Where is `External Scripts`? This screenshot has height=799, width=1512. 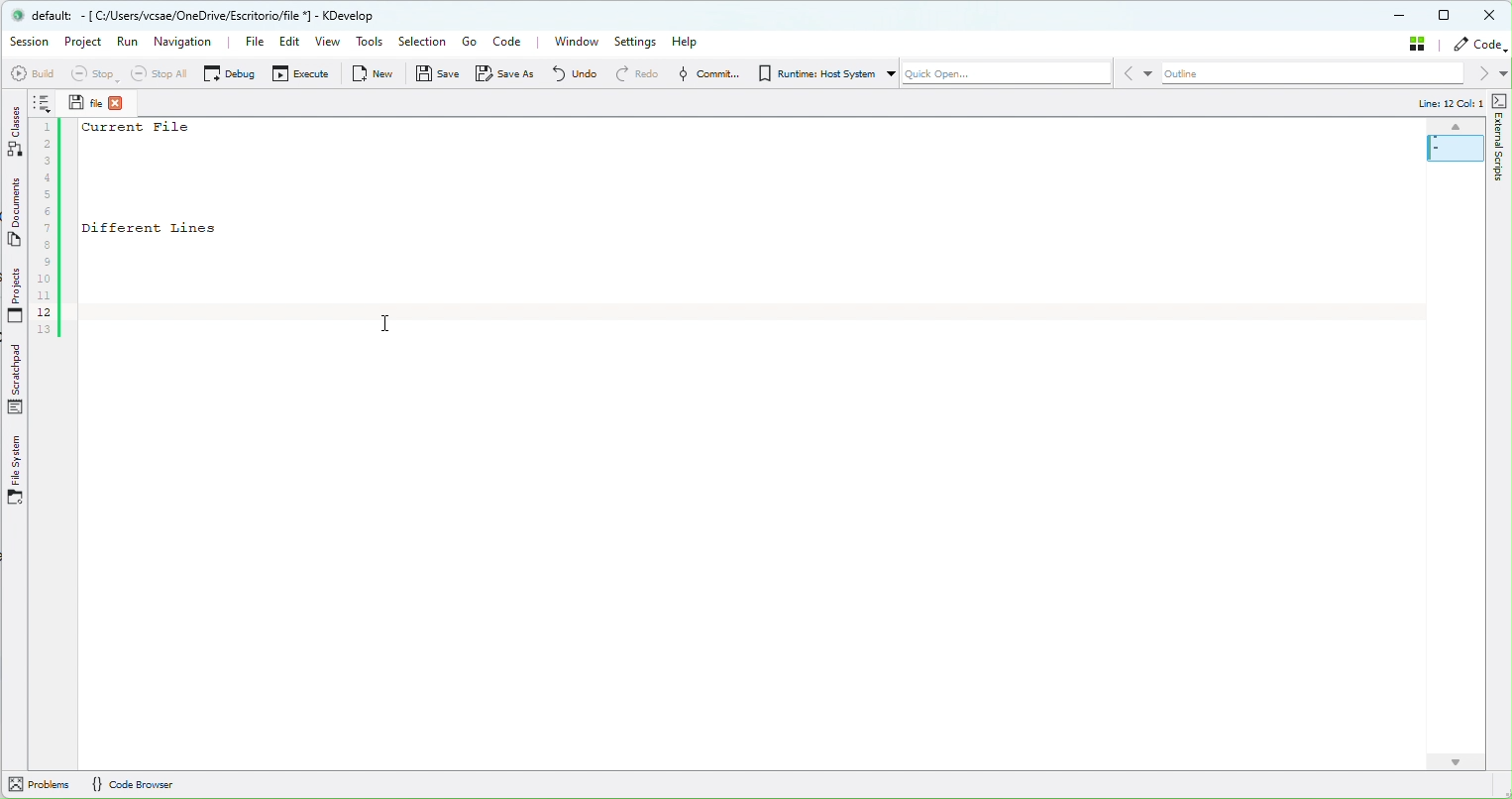
External Scripts is located at coordinates (1500, 144).